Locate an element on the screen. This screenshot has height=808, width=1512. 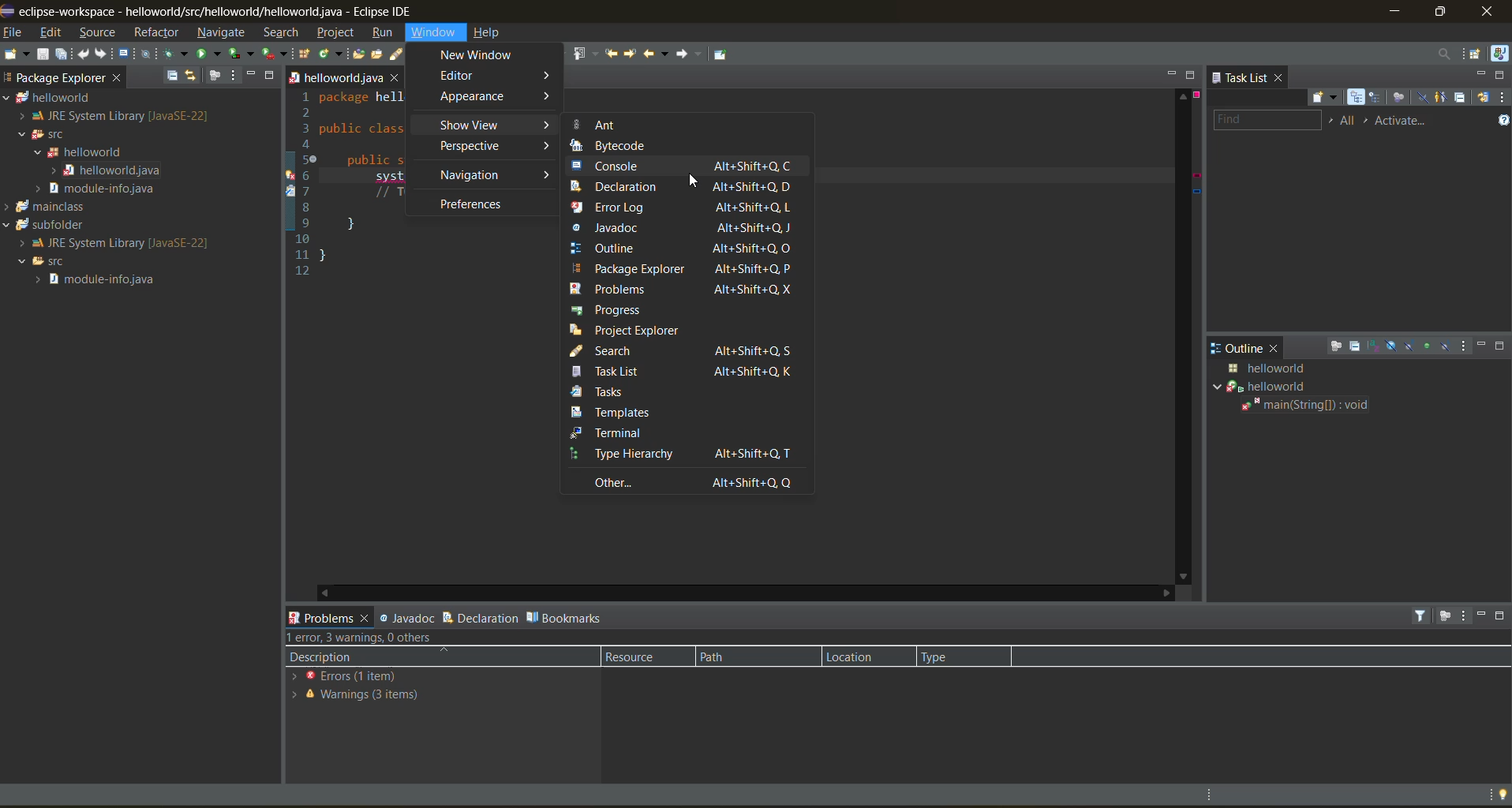
perspective is located at coordinates (492, 144).